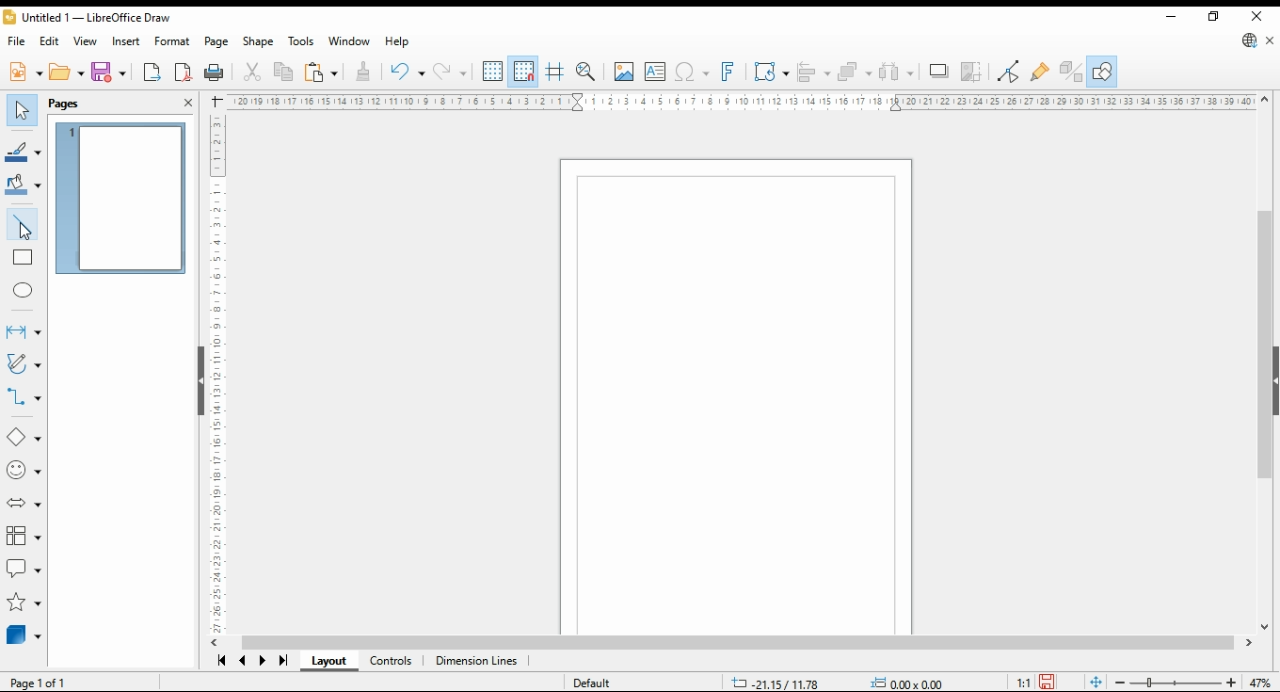 The width and height of the screenshot is (1280, 692). What do you see at coordinates (1176, 683) in the screenshot?
I see `zoom slider` at bounding box center [1176, 683].